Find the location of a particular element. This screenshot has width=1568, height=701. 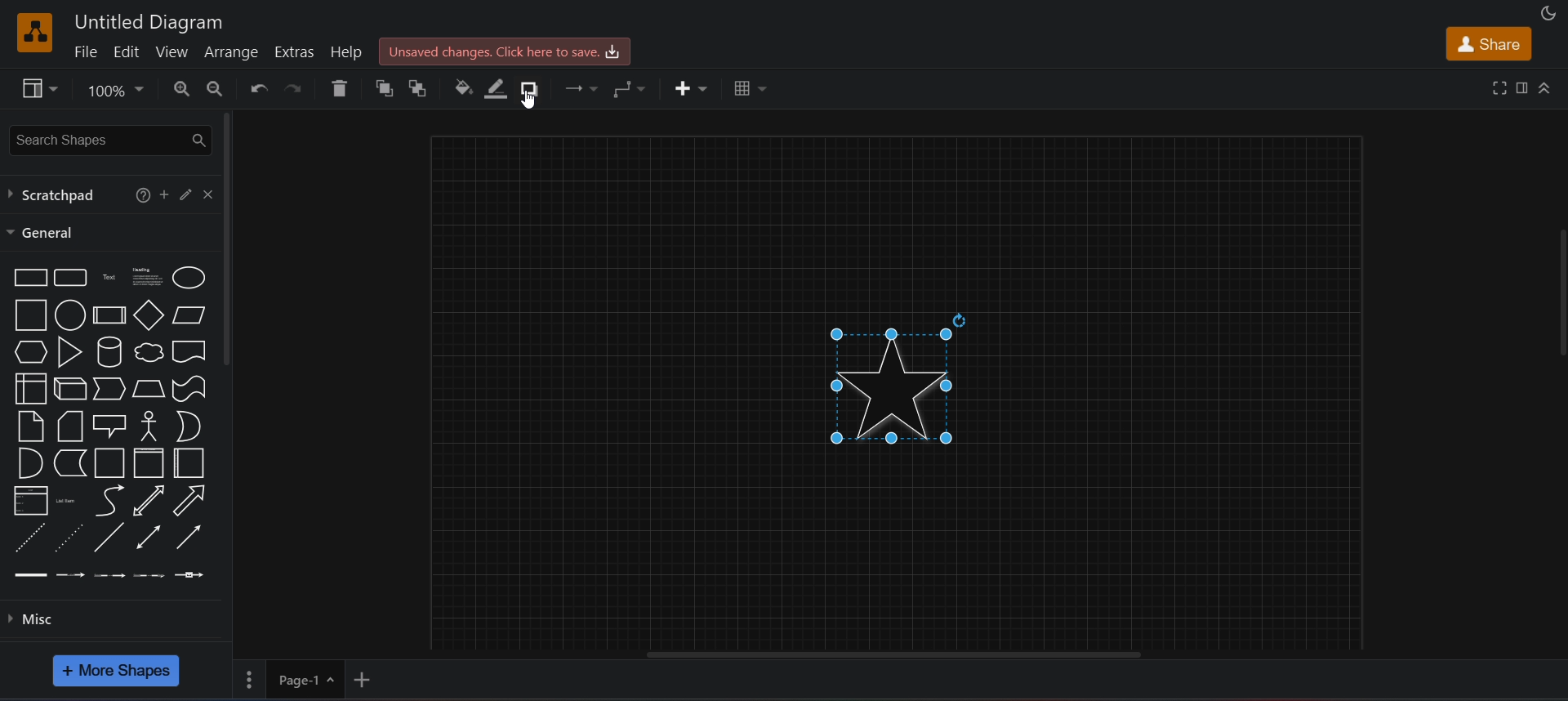

Connector with 3 labels is located at coordinates (151, 576).